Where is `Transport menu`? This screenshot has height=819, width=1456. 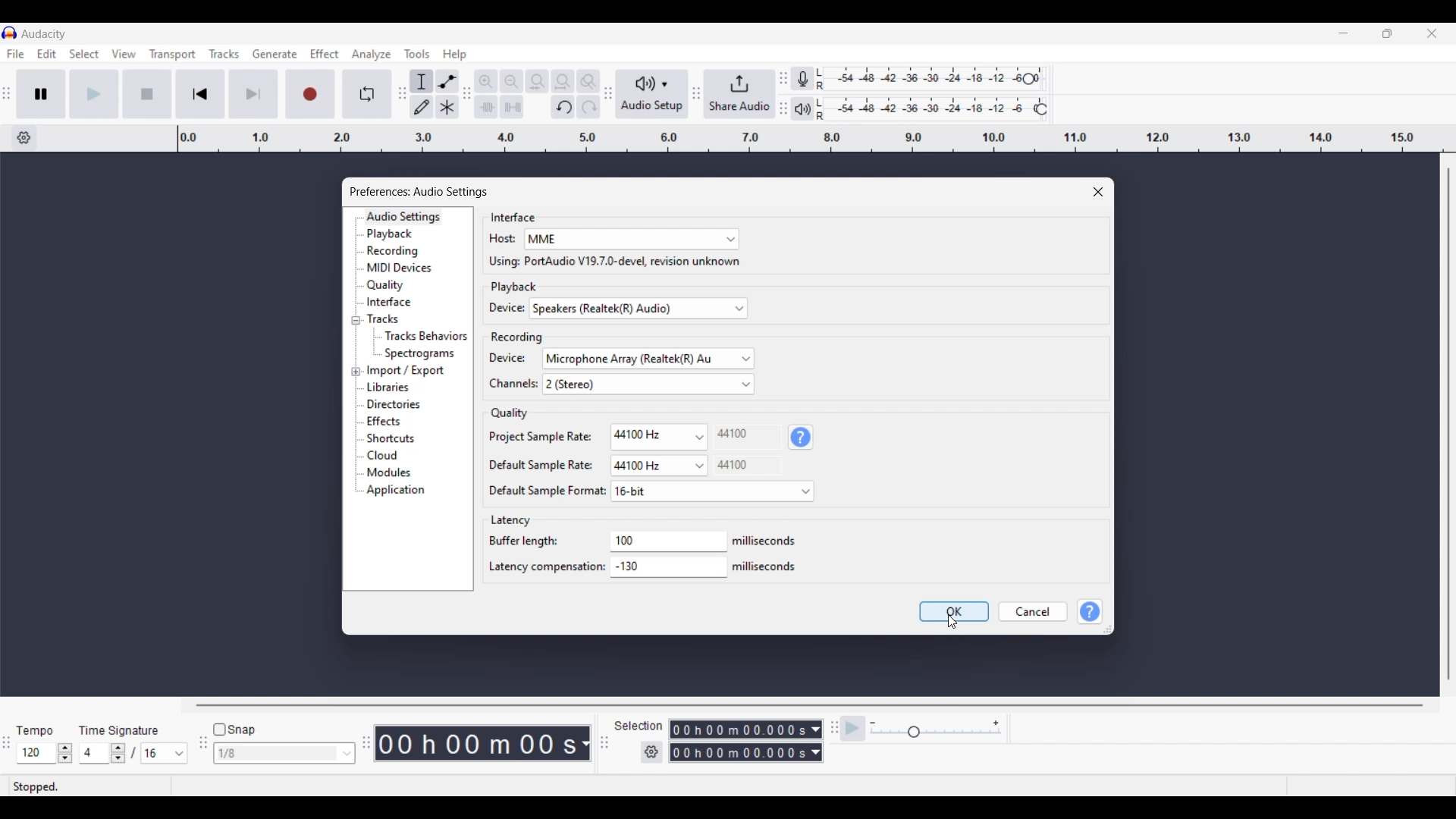 Transport menu is located at coordinates (173, 54).